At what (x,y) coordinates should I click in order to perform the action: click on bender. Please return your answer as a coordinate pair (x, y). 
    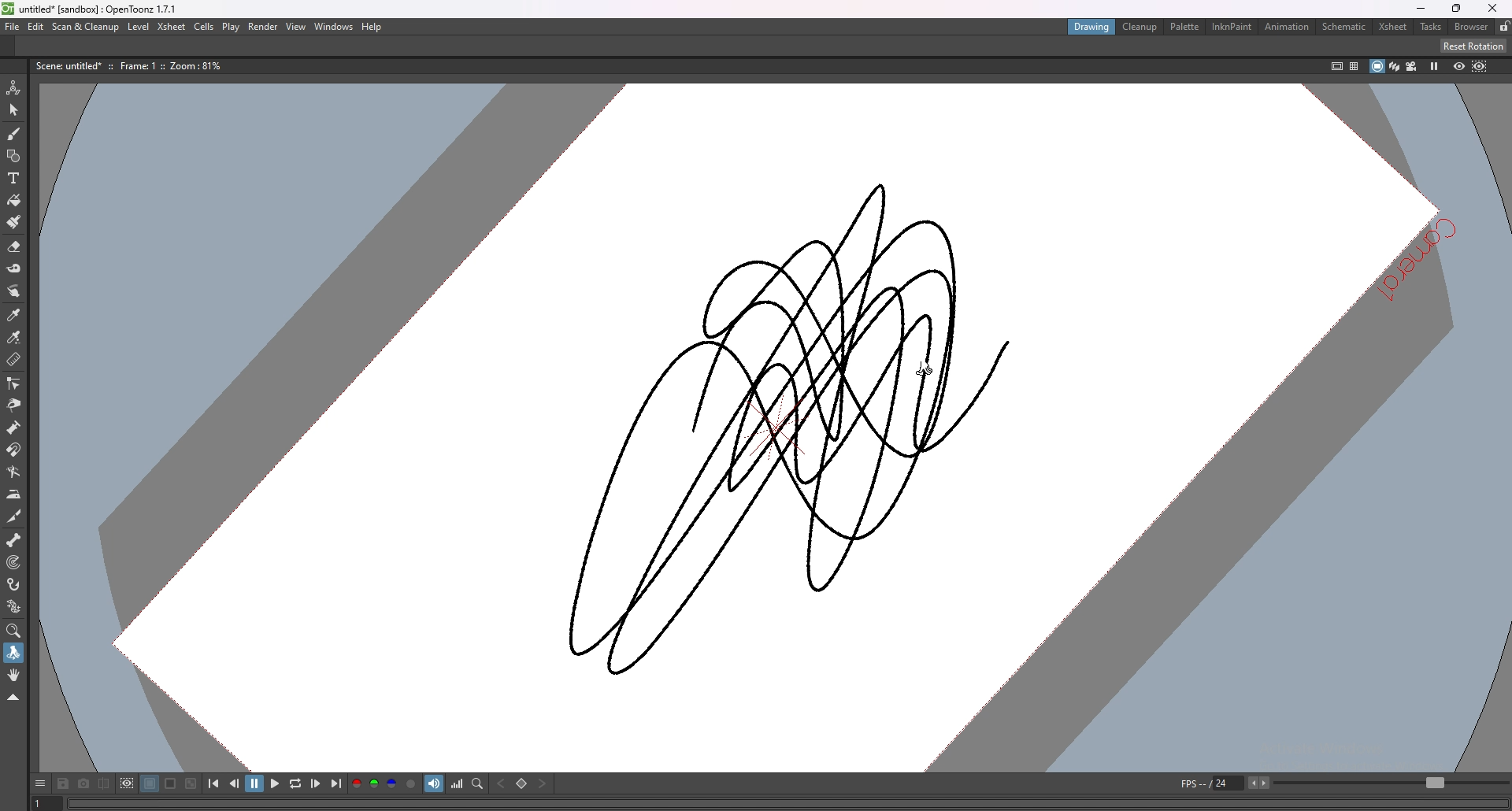
    Looking at the image, I should click on (14, 472).